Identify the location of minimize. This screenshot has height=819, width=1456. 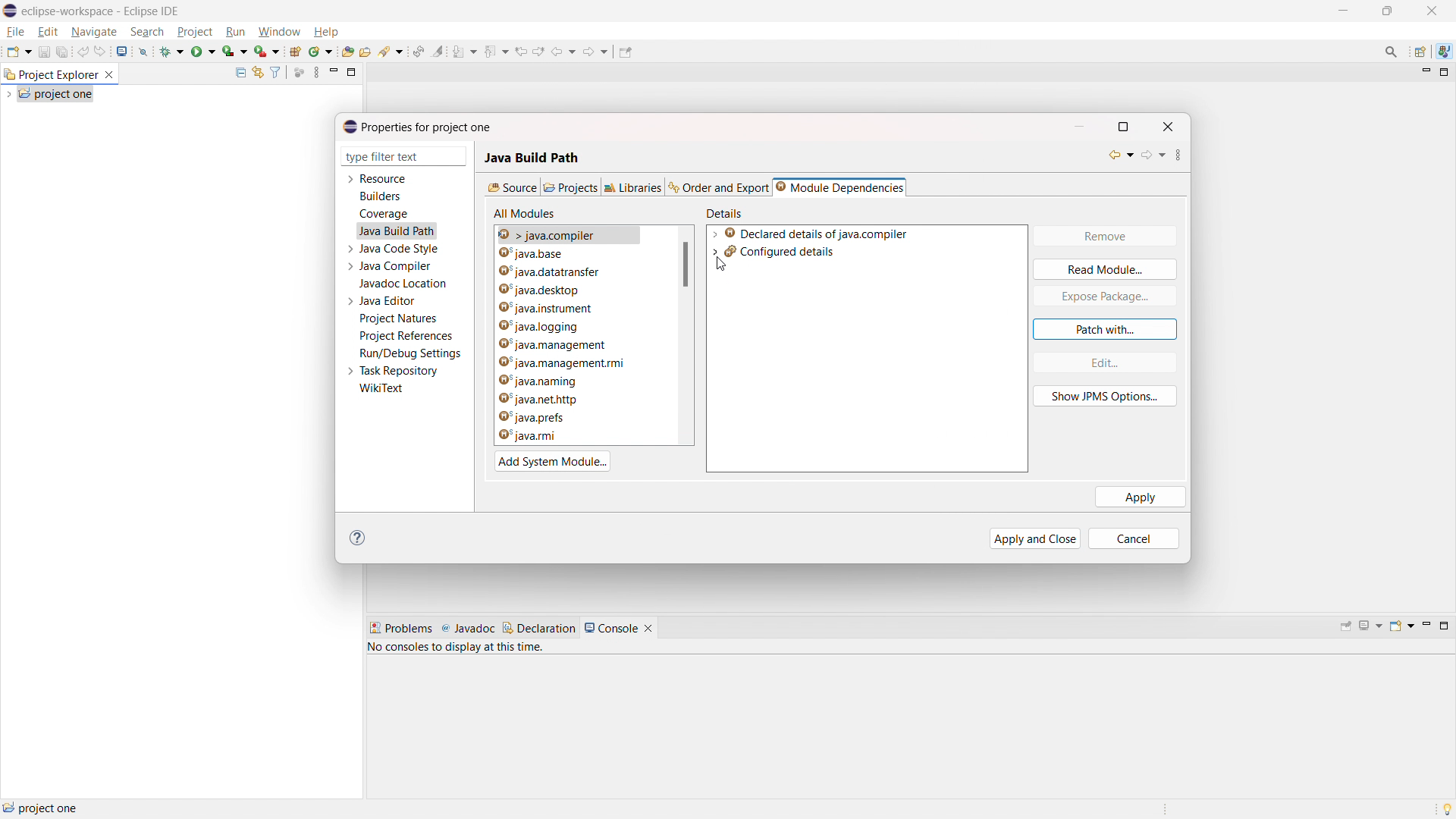
(1081, 125).